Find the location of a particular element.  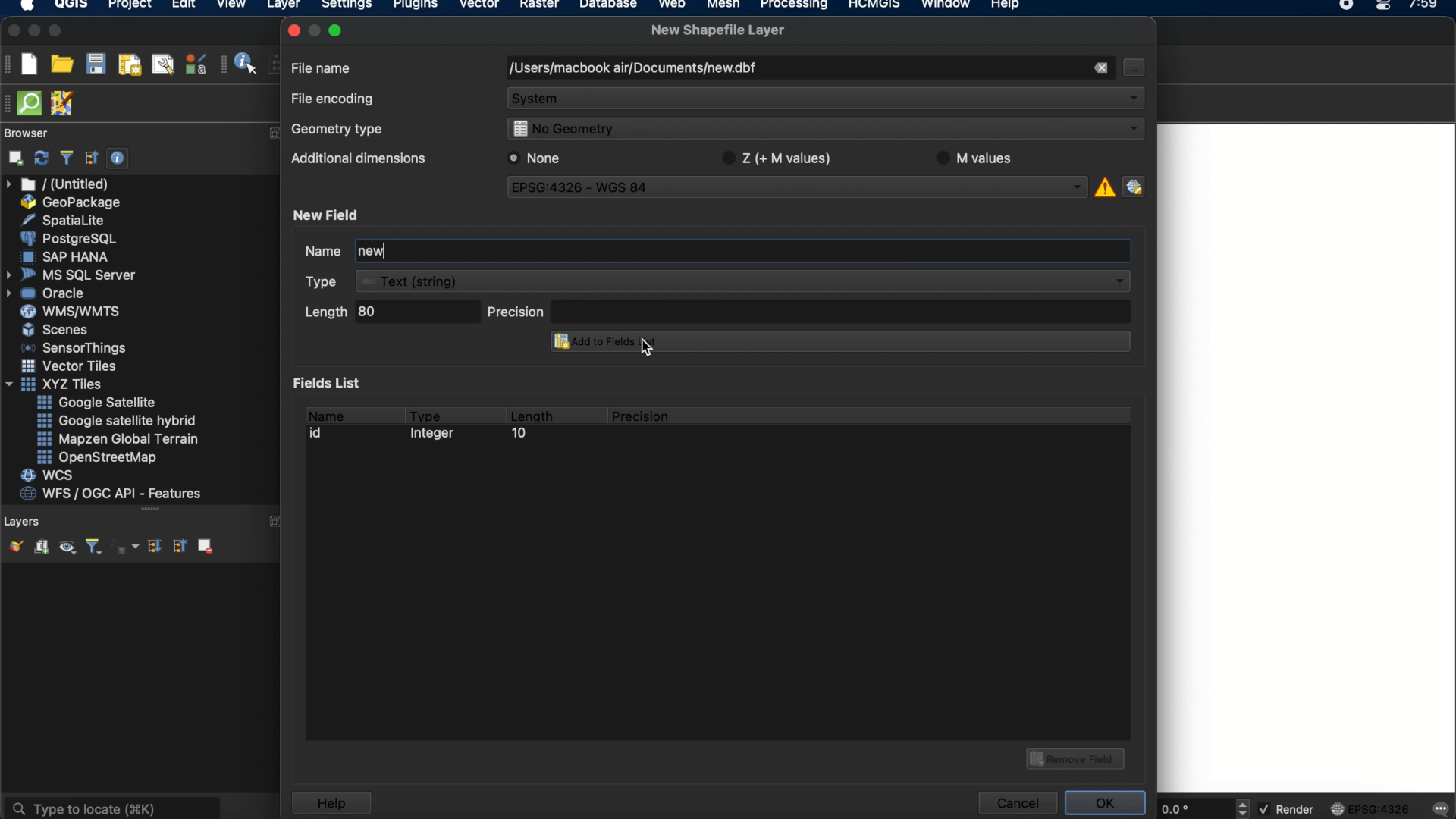

close is located at coordinates (293, 30).